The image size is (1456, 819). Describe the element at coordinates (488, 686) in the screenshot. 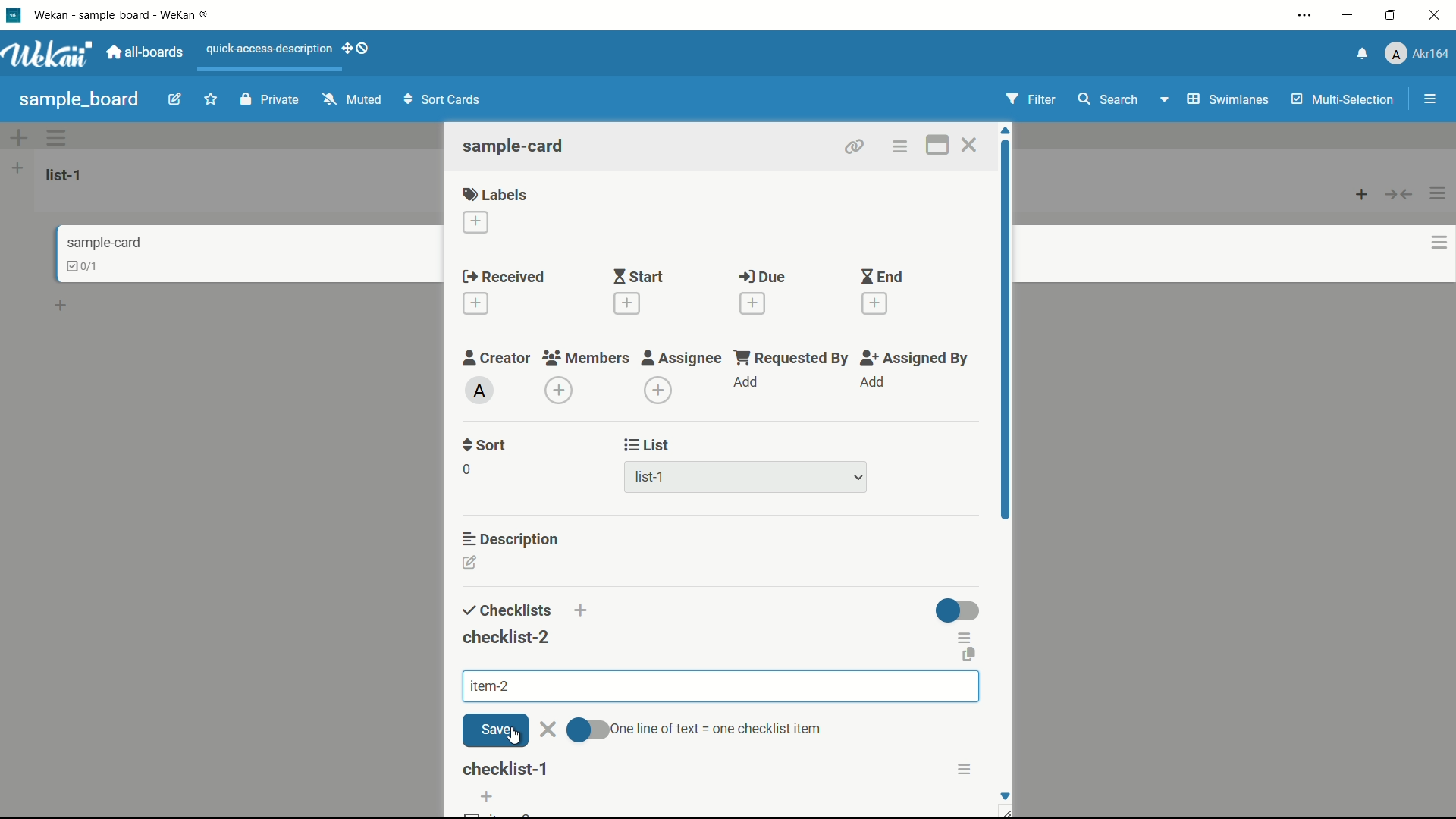

I see `item-2` at that location.